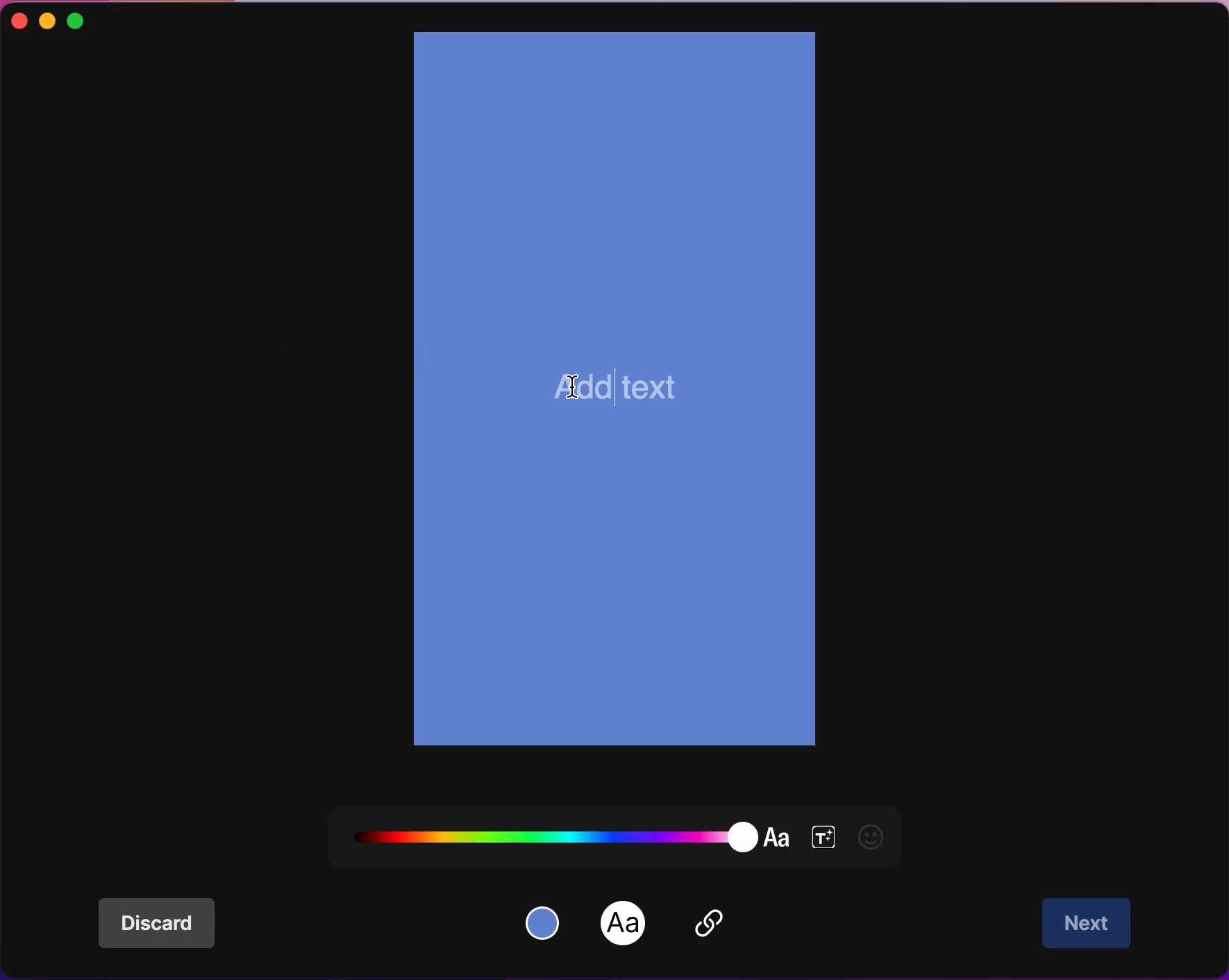 The height and width of the screenshot is (980, 1229). What do you see at coordinates (17, 22) in the screenshot?
I see `close` at bounding box center [17, 22].